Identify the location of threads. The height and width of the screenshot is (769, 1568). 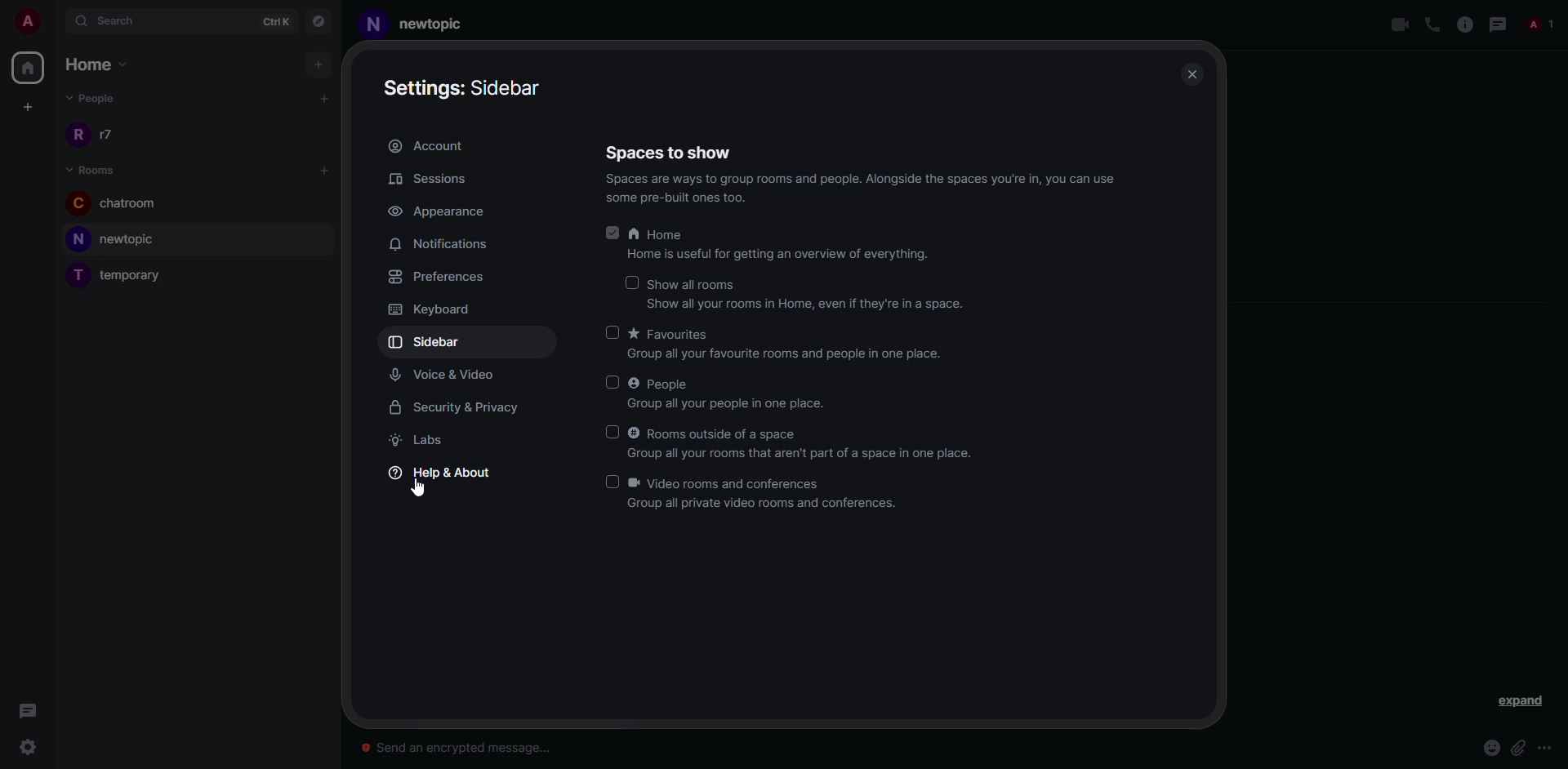
(1498, 24).